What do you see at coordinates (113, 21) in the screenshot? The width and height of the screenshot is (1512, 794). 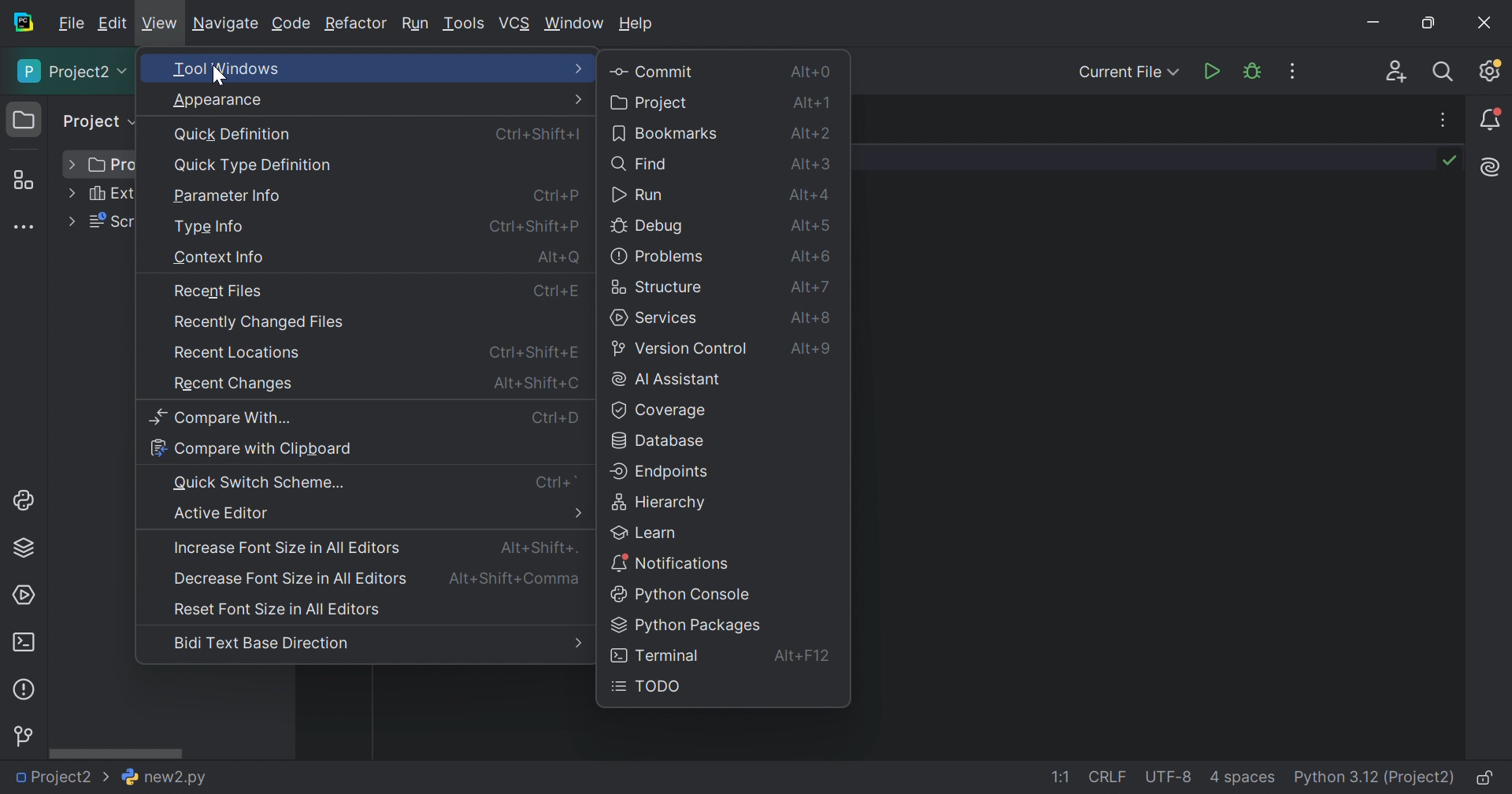 I see `Edit` at bounding box center [113, 21].